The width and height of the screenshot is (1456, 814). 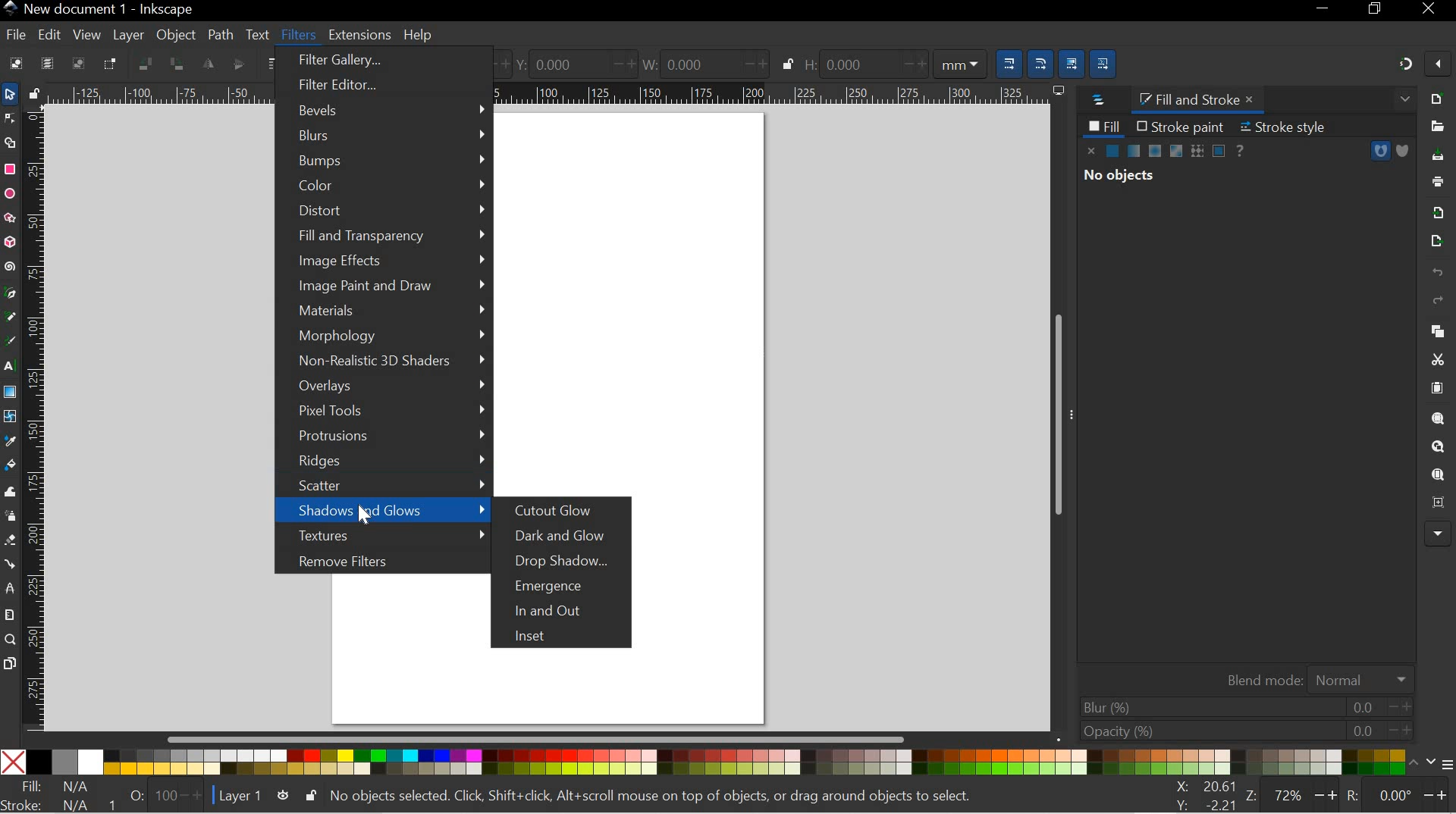 I want to click on VIEW, so click(x=85, y=34).